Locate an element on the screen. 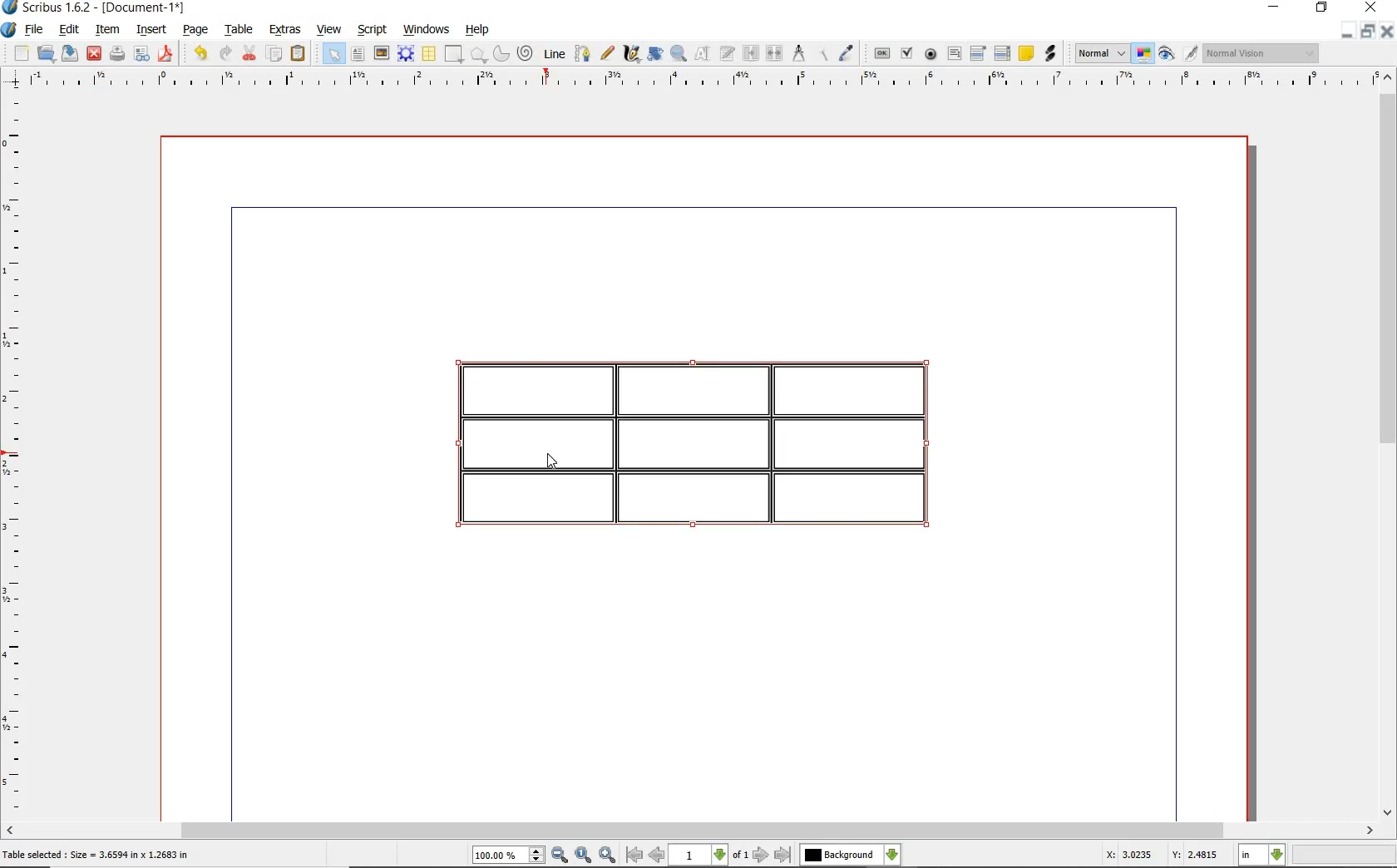 The height and width of the screenshot is (868, 1397). zoom in is located at coordinates (608, 855).